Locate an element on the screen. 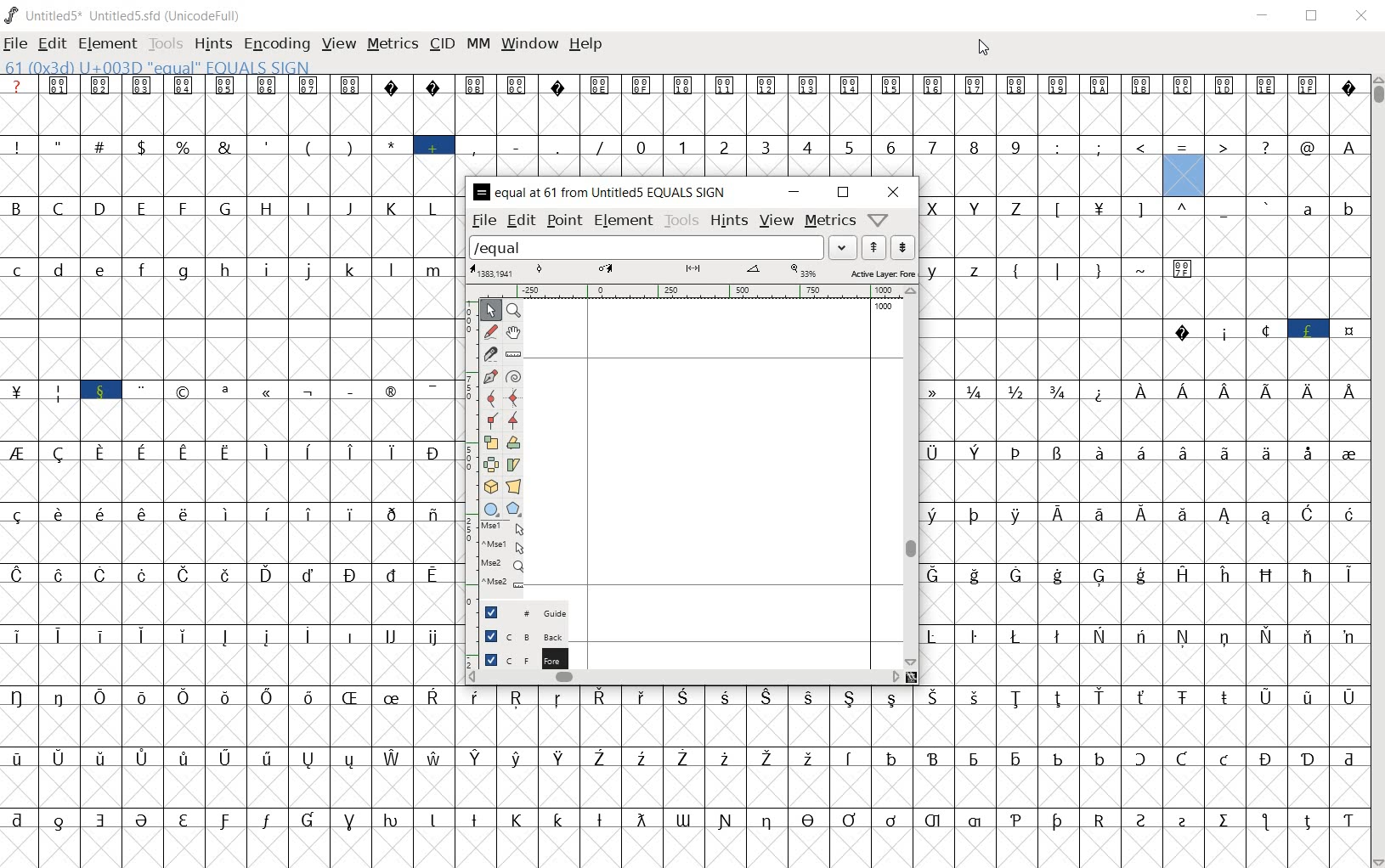 This screenshot has height=868, width=1385. show the previous word on the list is located at coordinates (904, 247).